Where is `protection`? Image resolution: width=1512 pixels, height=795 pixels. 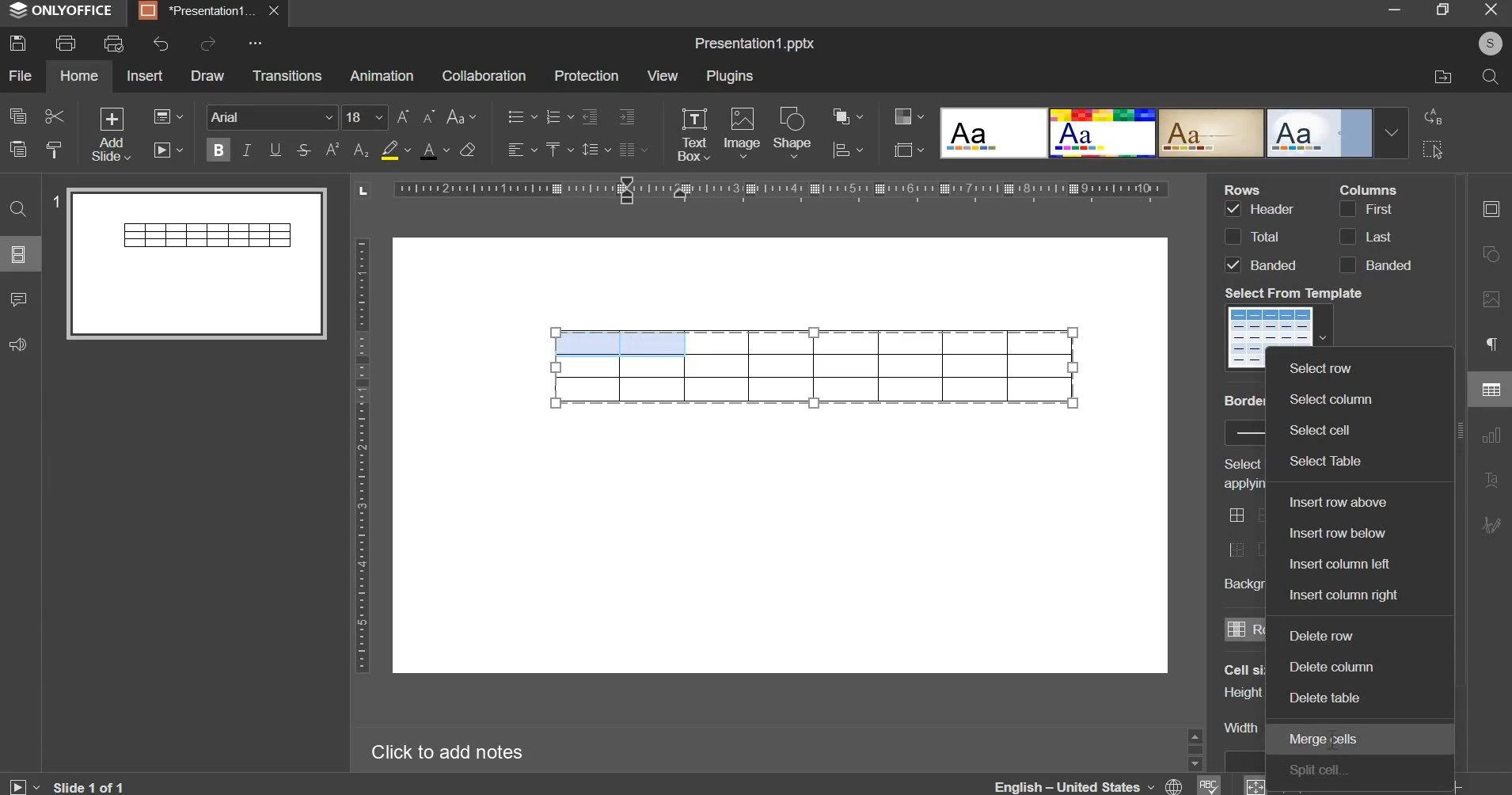 protection is located at coordinates (586, 76).